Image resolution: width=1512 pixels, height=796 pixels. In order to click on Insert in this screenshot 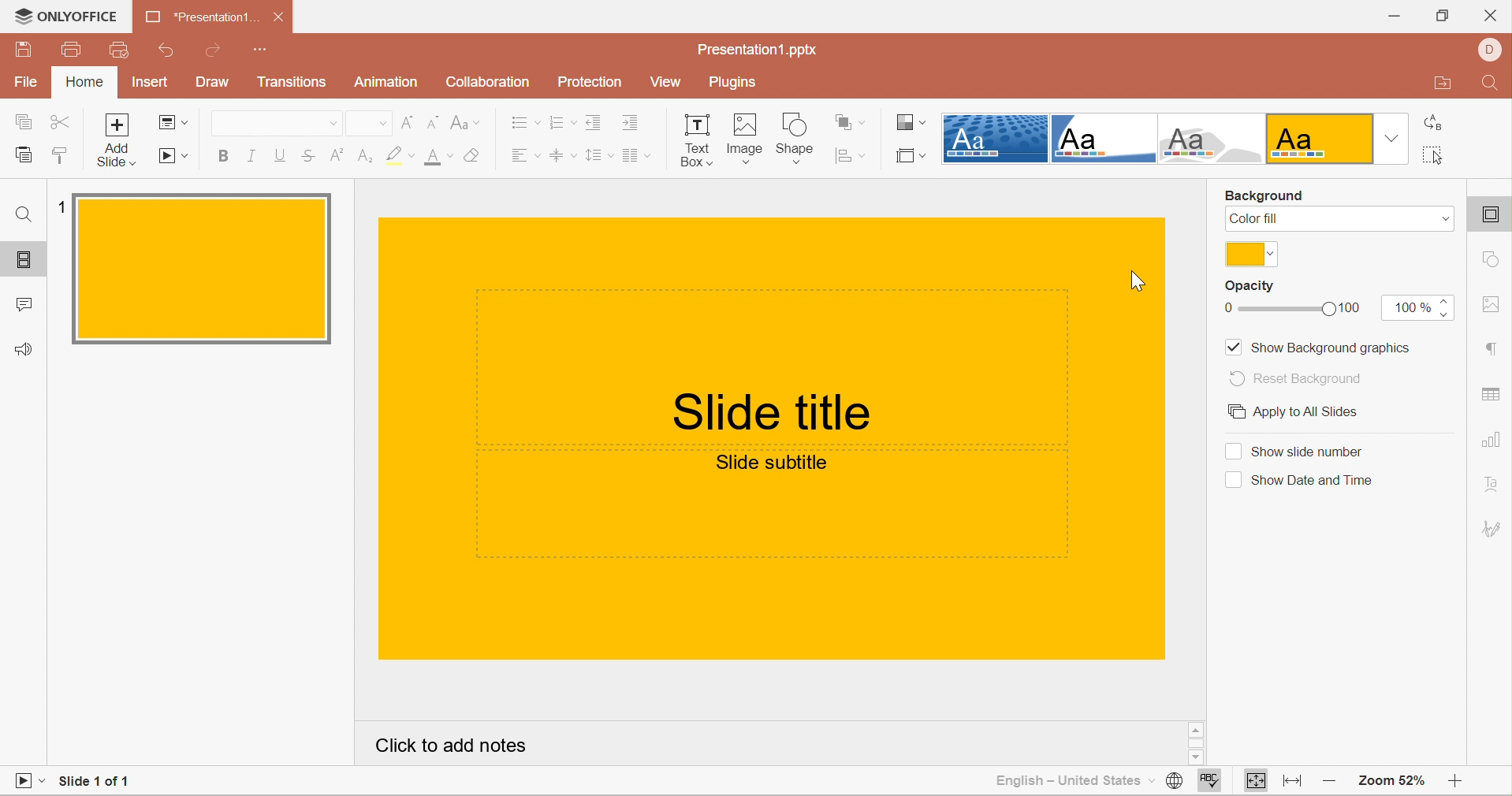, I will do `click(149, 83)`.